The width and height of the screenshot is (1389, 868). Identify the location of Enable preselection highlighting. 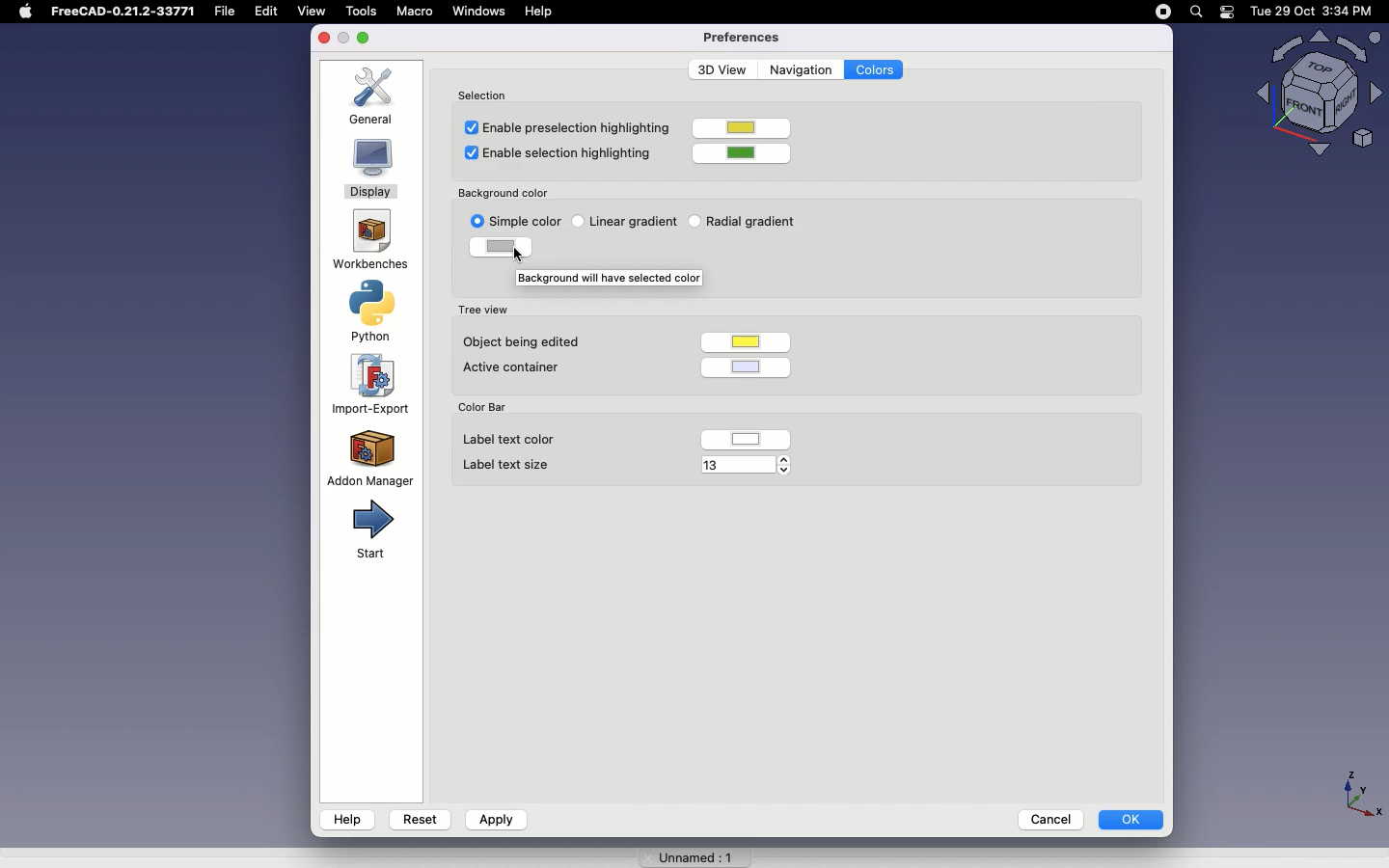
(562, 126).